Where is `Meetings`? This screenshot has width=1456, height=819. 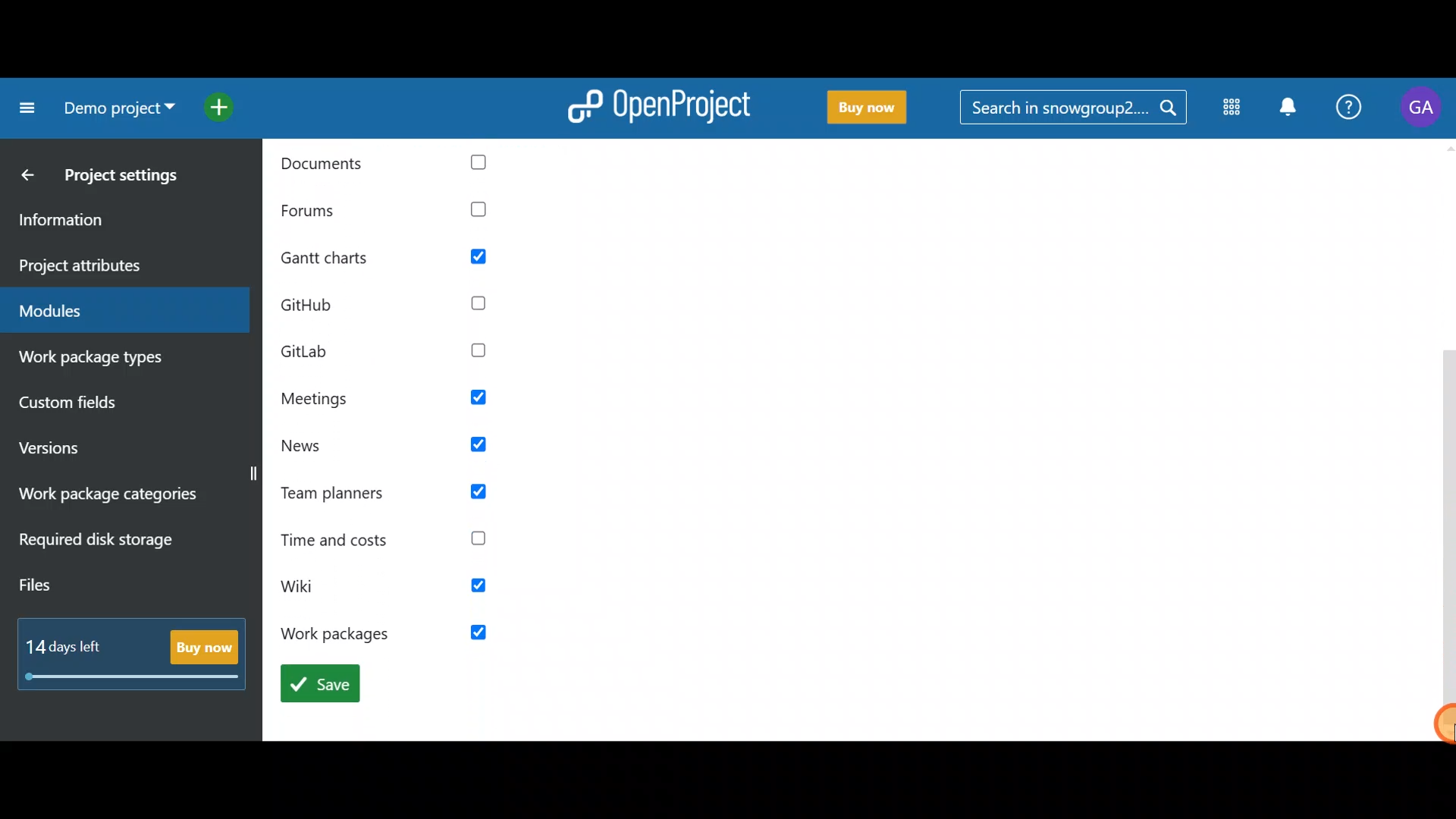
Meetings is located at coordinates (387, 399).